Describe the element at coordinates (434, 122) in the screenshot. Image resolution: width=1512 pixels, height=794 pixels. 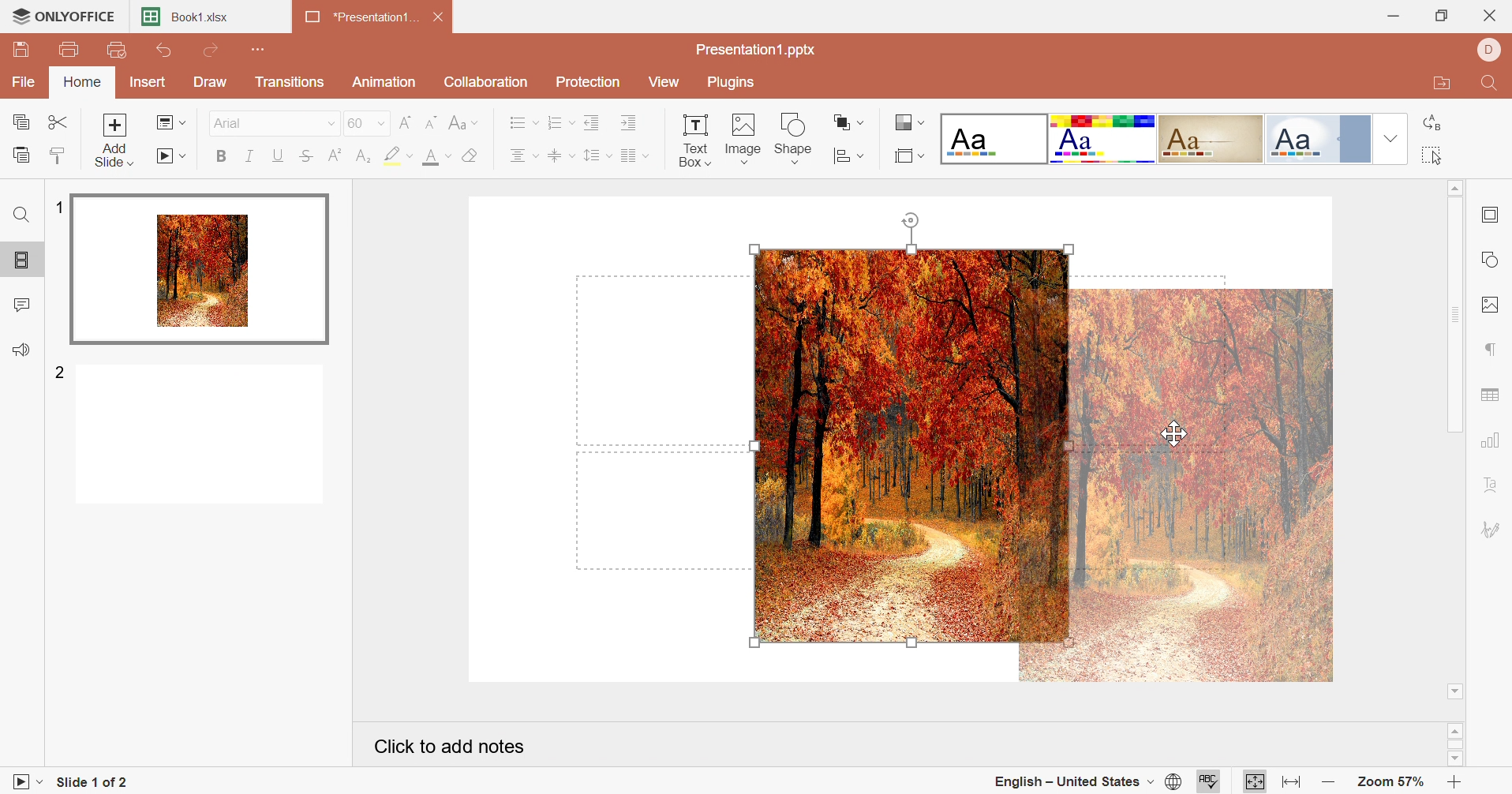
I see `Decrement font size` at that location.